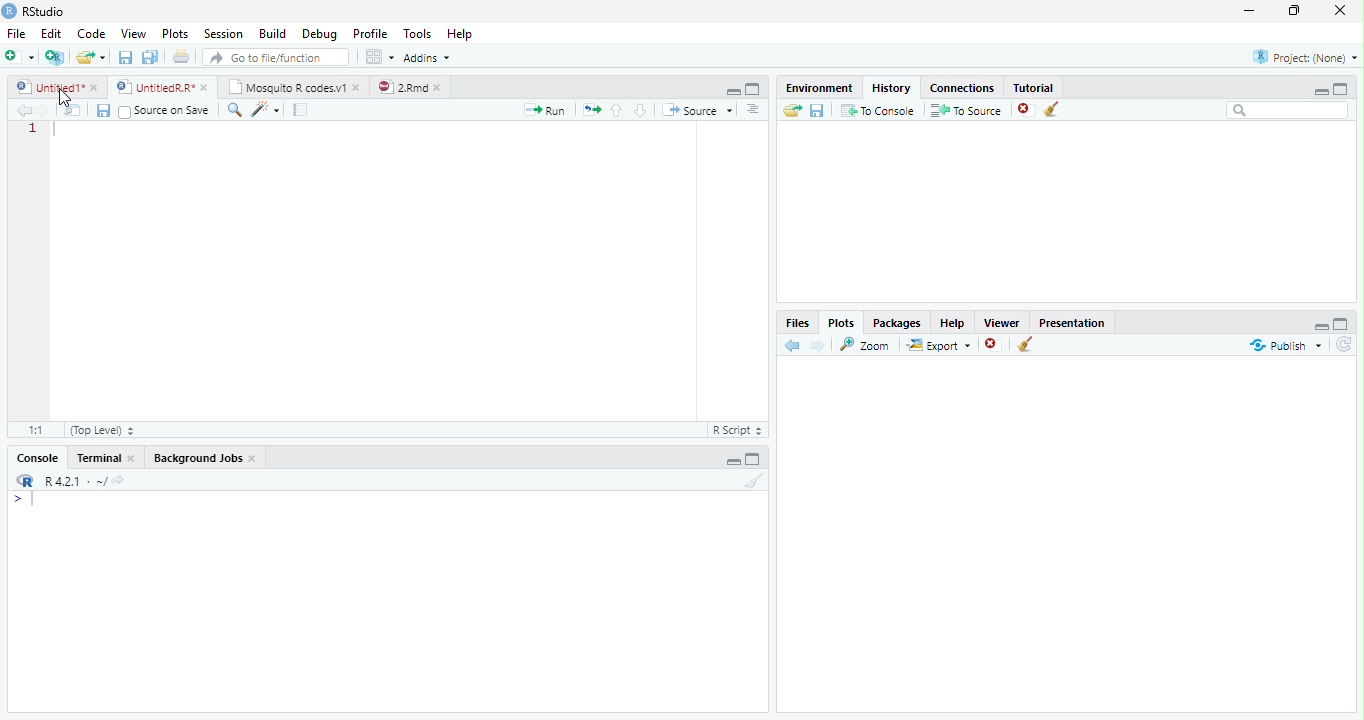  What do you see at coordinates (756, 458) in the screenshot?
I see `Full Height` at bounding box center [756, 458].